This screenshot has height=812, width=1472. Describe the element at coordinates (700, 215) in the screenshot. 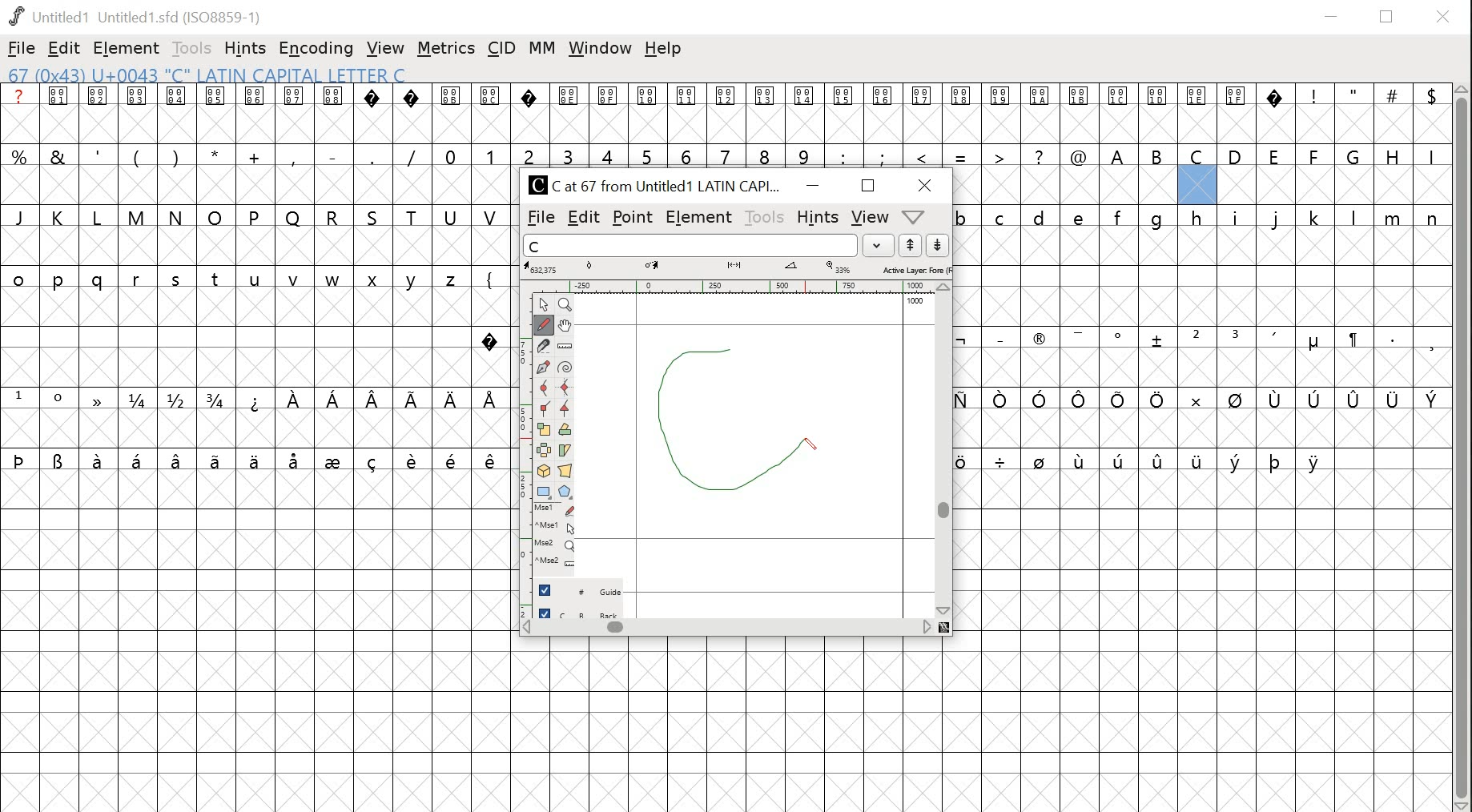

I see `element` at that location.